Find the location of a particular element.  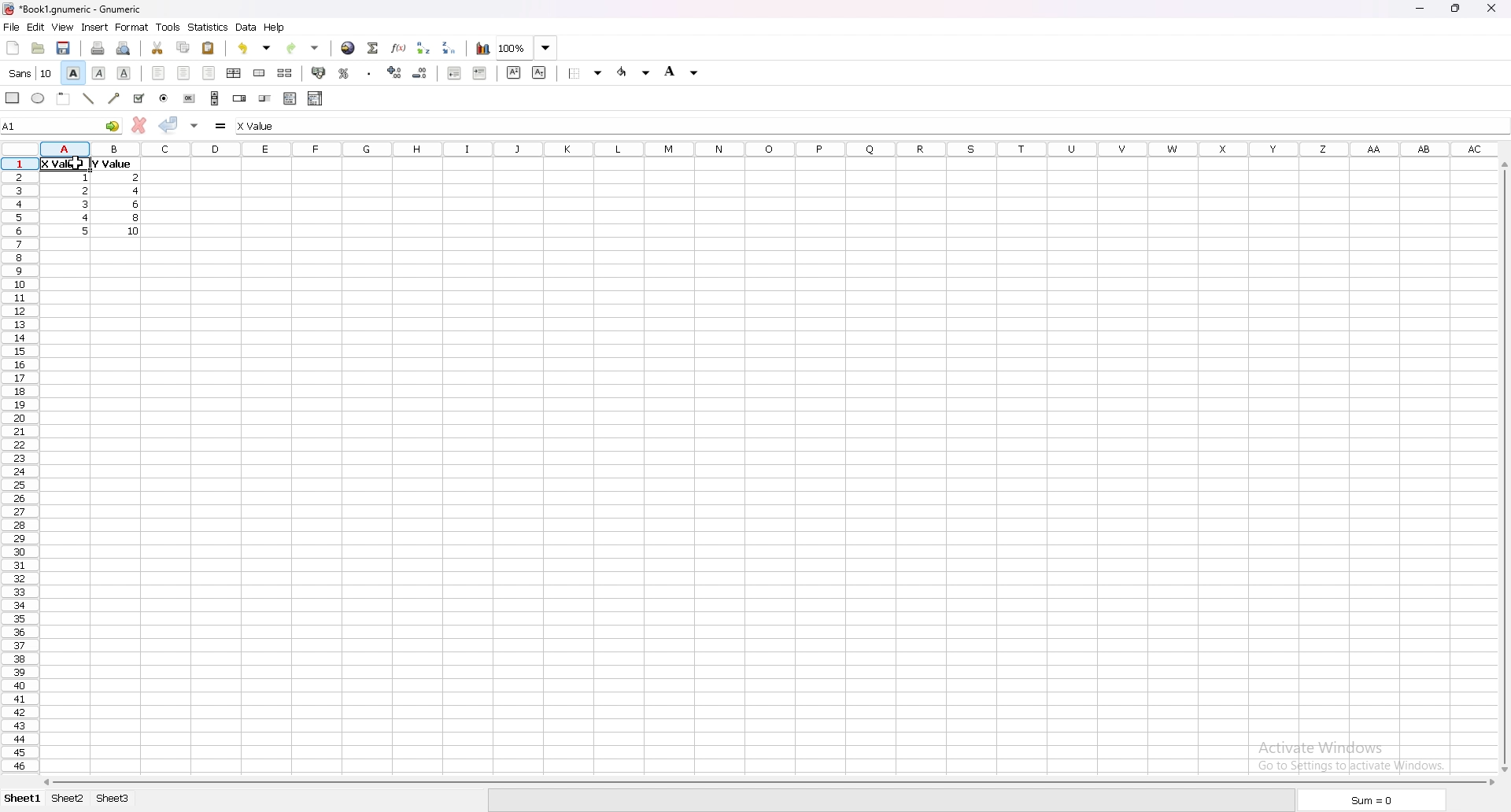

cell input is located at coordinates (272, 126).